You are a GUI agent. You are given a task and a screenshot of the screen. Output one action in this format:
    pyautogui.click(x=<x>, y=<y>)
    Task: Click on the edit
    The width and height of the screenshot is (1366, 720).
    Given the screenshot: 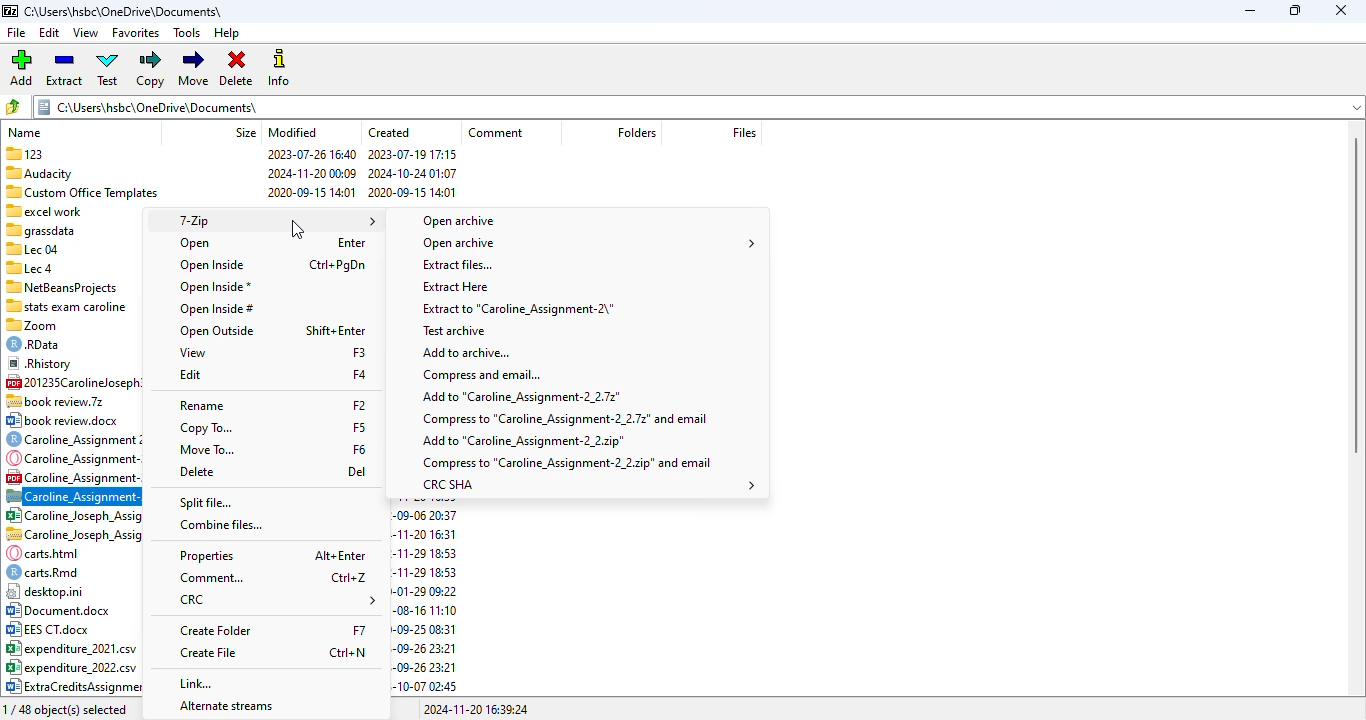 What is the action you would take?
    pyautogui.click(x=190, y=374)
    